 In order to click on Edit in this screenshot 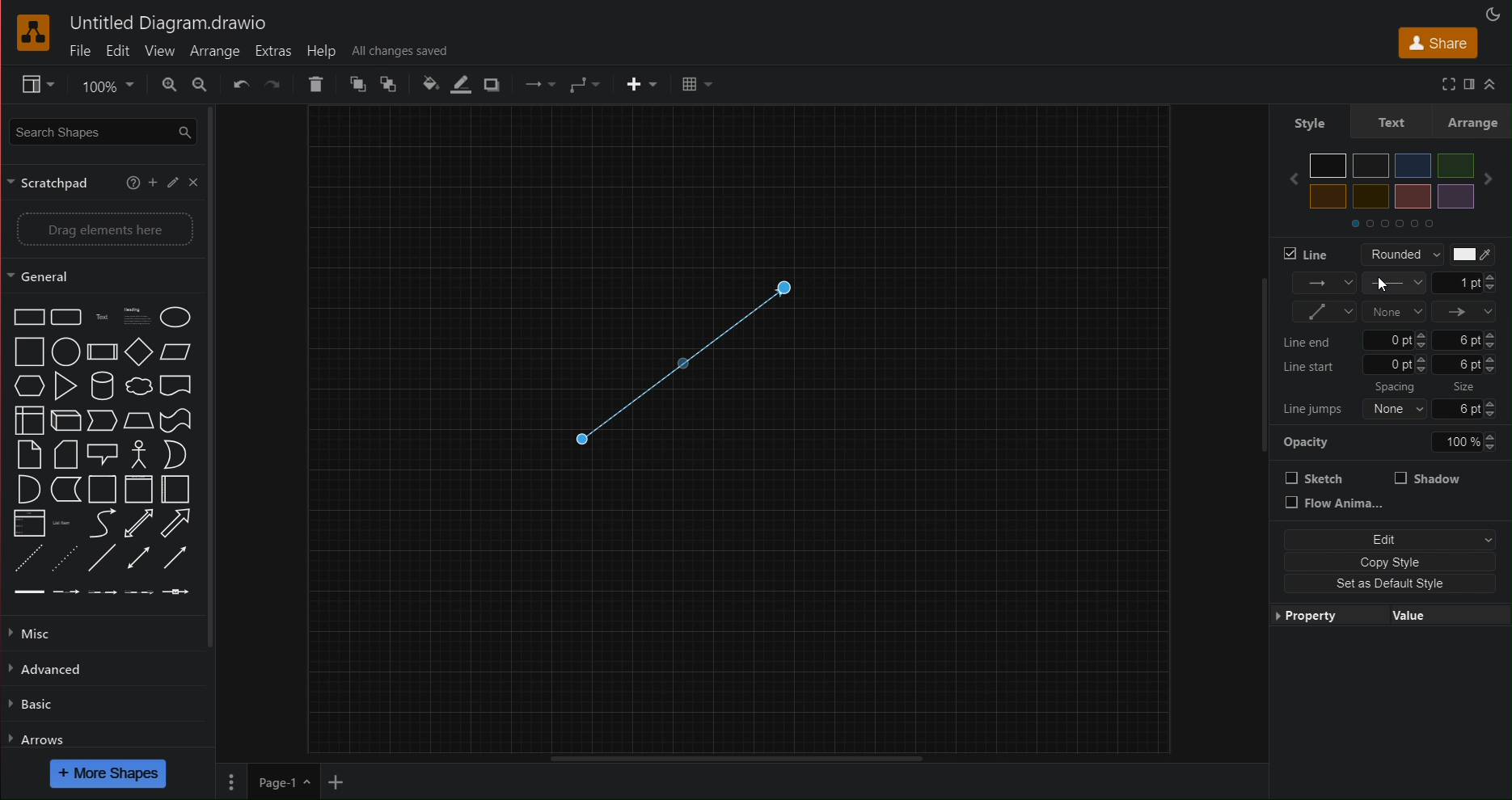, I will do `click(171, 181)`.